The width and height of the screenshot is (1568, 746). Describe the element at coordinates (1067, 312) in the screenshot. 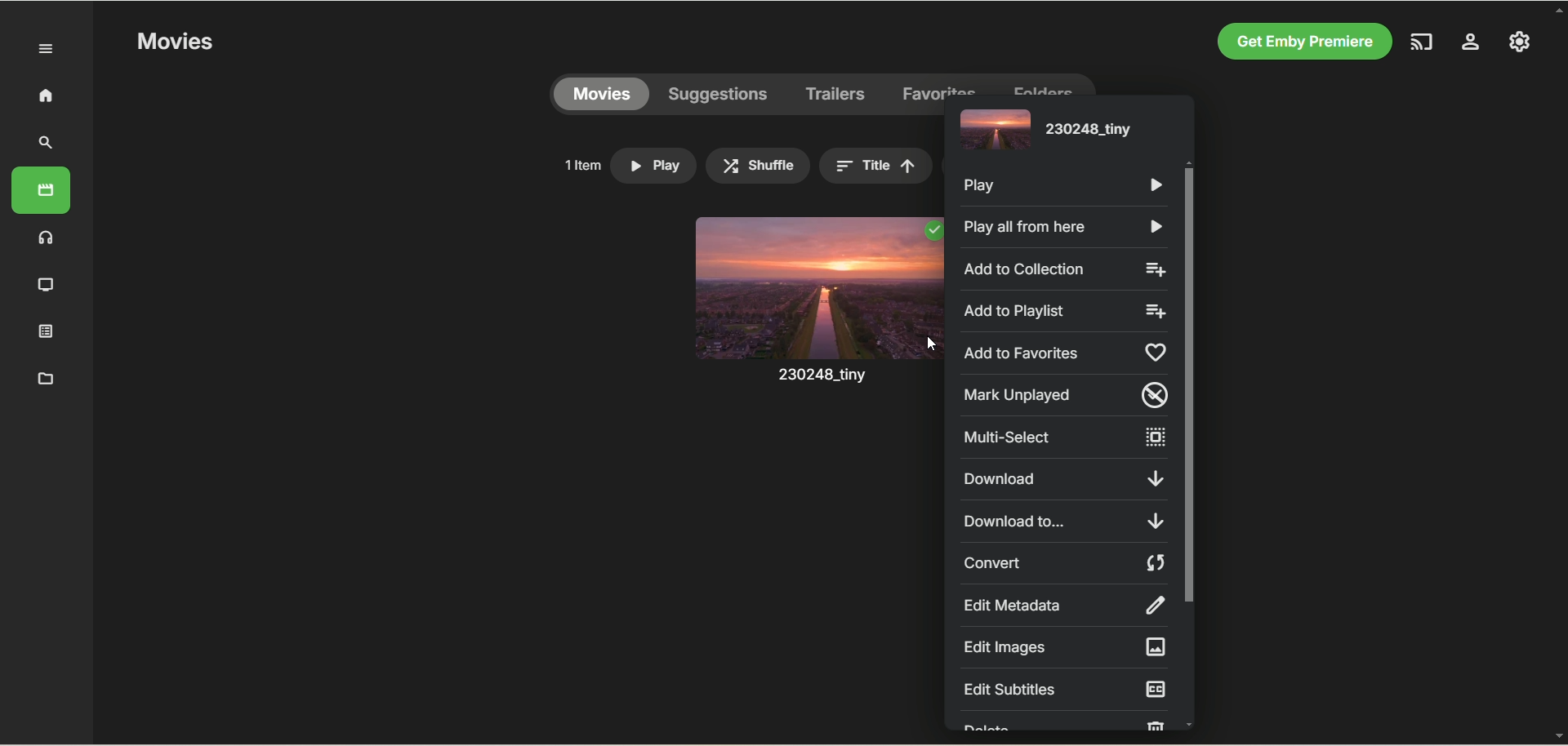

I see `add to playlist` at that location.